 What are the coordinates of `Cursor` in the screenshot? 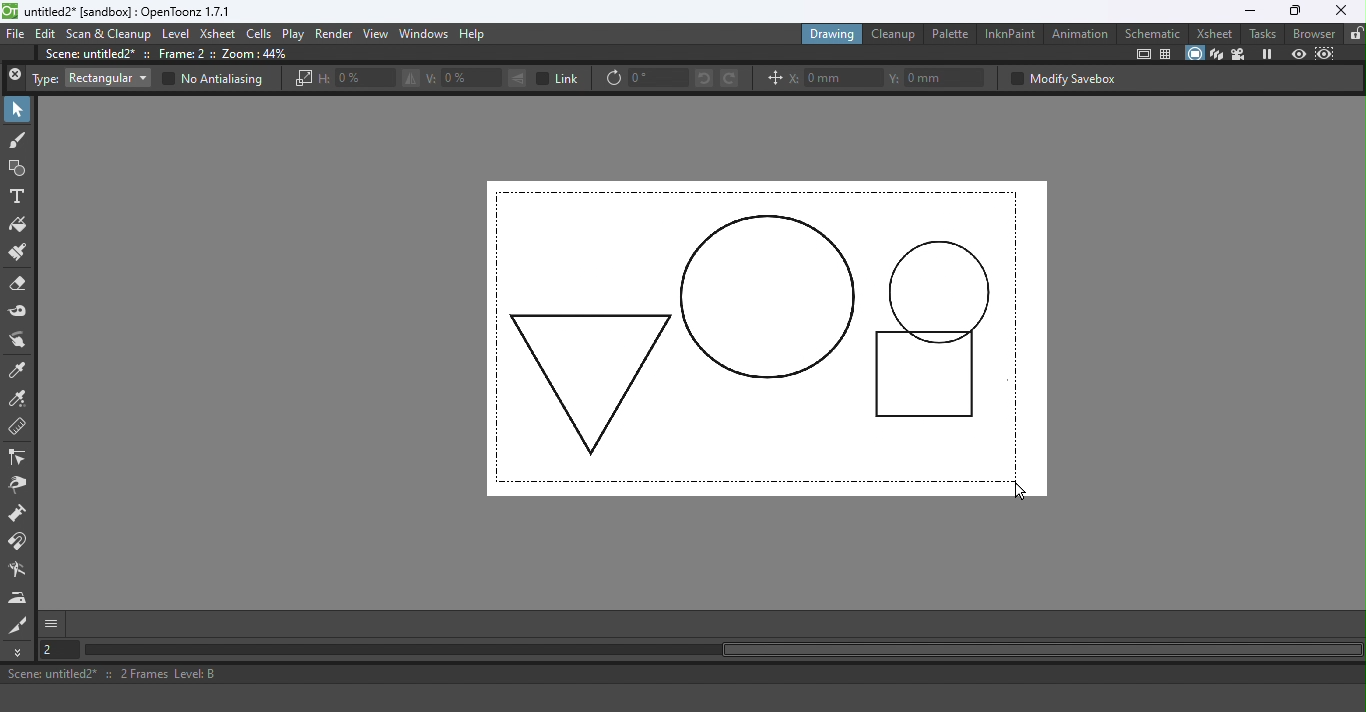 It's located at (1017, 487).